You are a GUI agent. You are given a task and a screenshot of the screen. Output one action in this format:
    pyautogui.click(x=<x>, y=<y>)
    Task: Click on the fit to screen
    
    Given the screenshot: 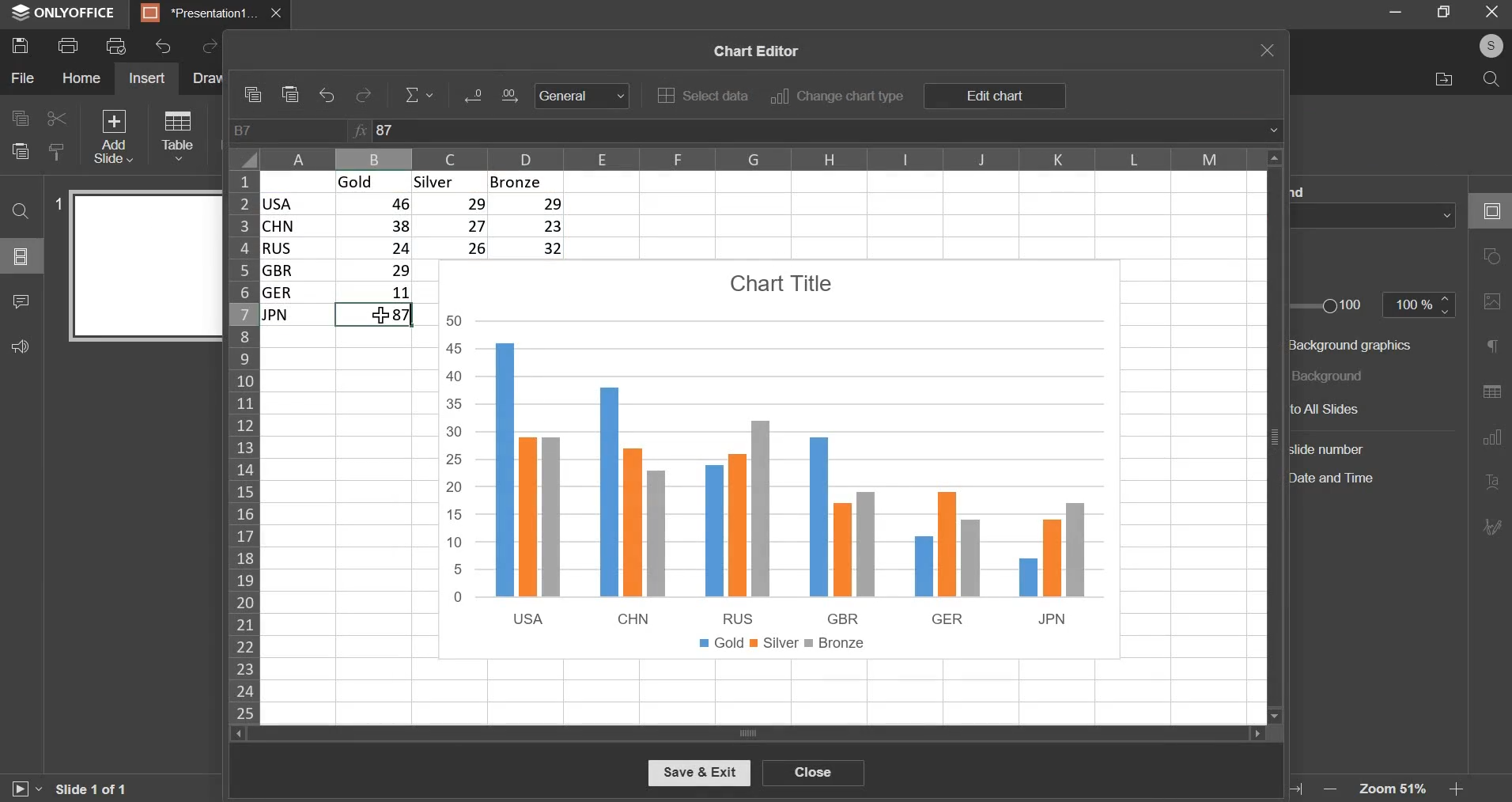 What is the action you would take?
    pyautogui.click(x=1298, y=787)
    